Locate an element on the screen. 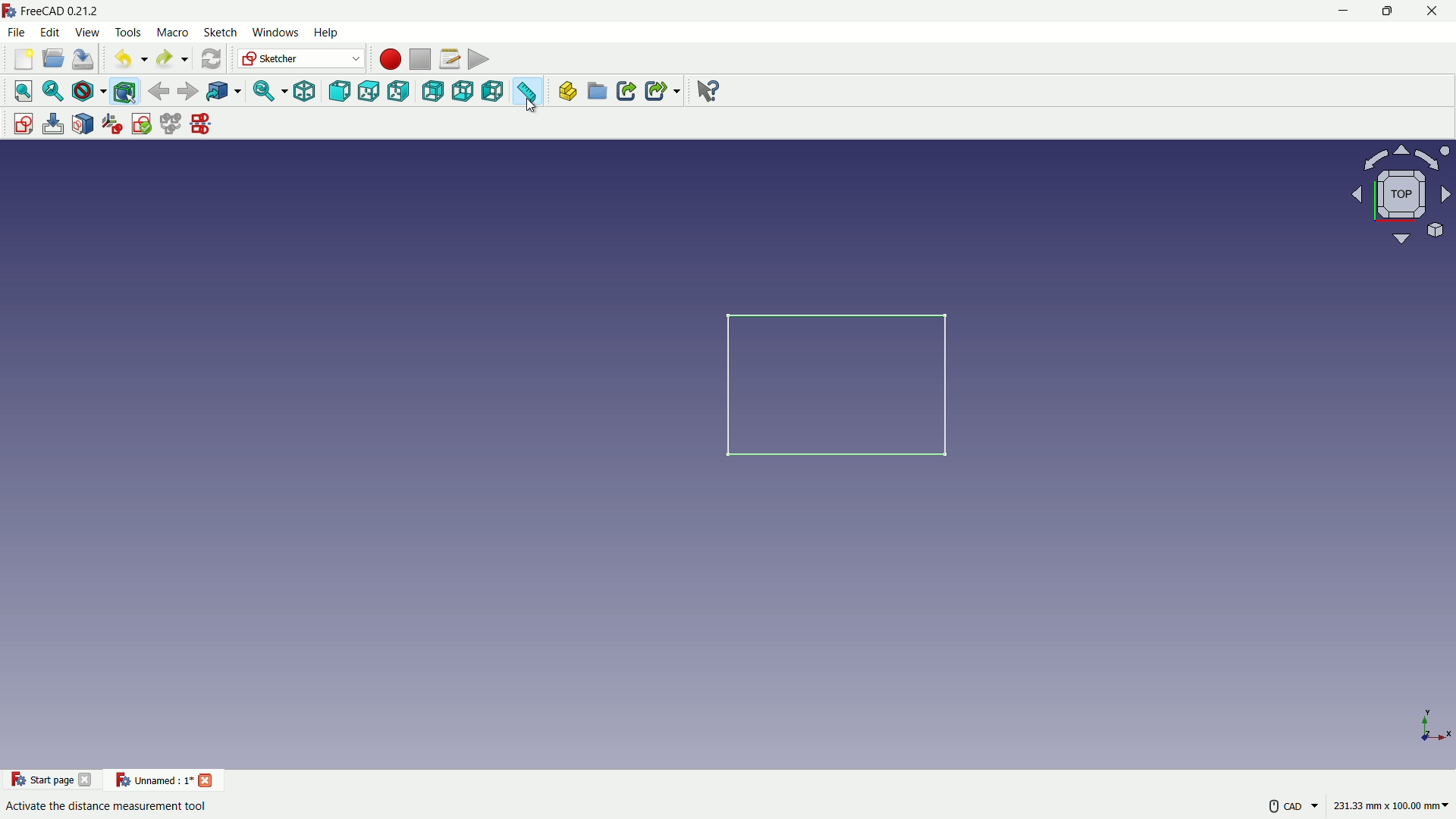 This screenshot has width=1456, height=819. back is located at coordinates (158, 90).